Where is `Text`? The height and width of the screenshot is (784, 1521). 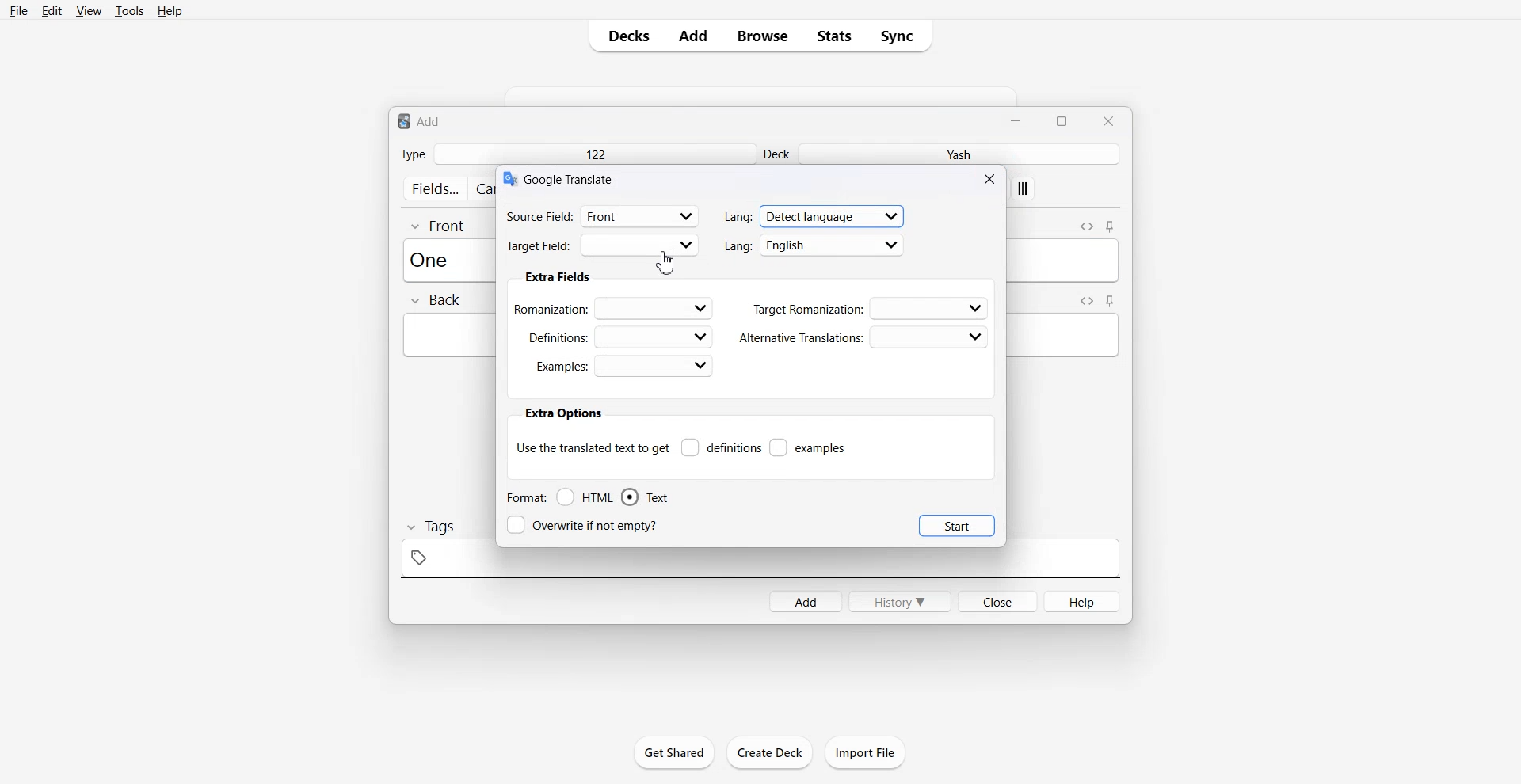 Text is located at coordinates (571, 178).